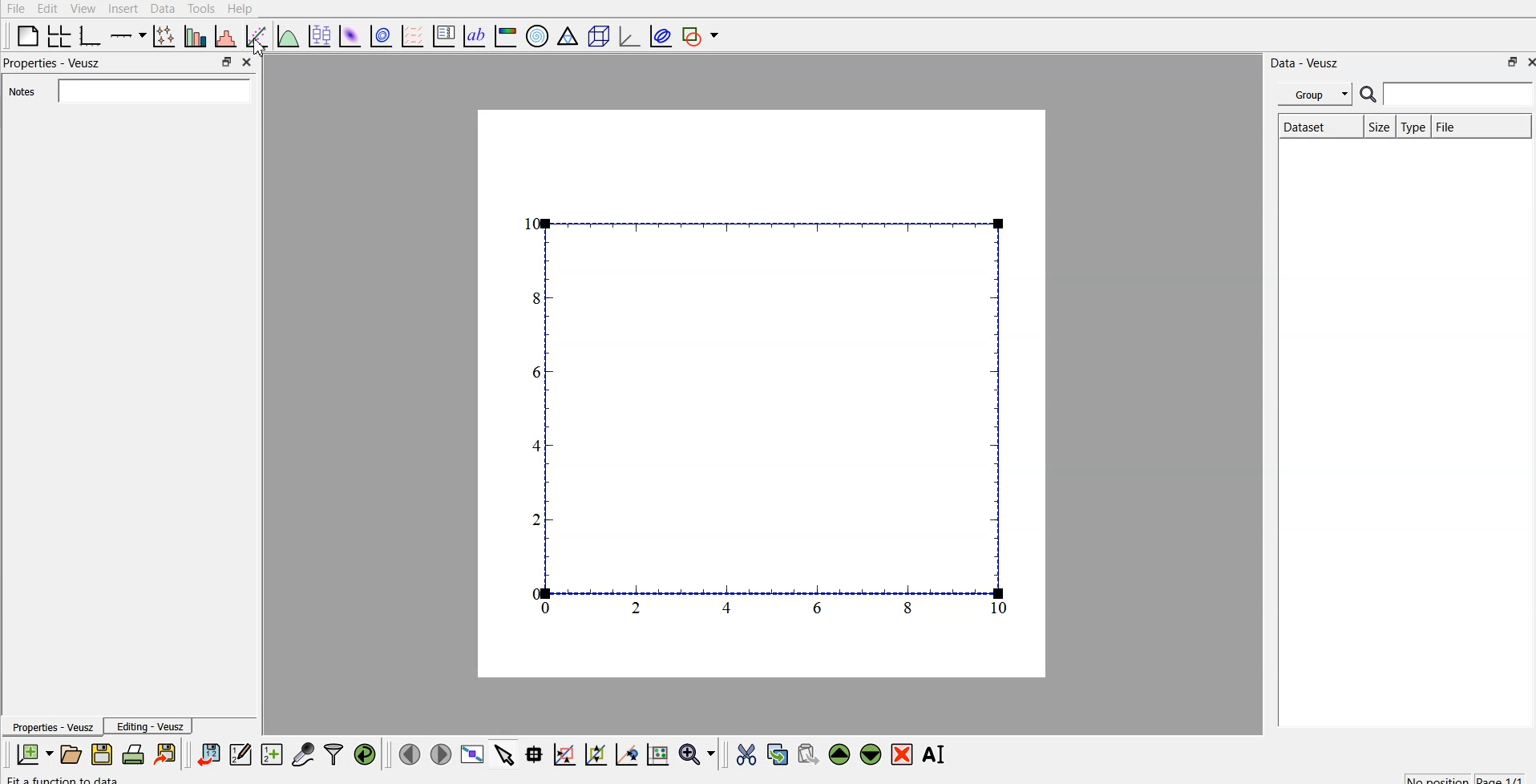 The image size is (1536, 784). Describe the element at coordinates (766, 418) in the screenshot. I see `graph` at that location.